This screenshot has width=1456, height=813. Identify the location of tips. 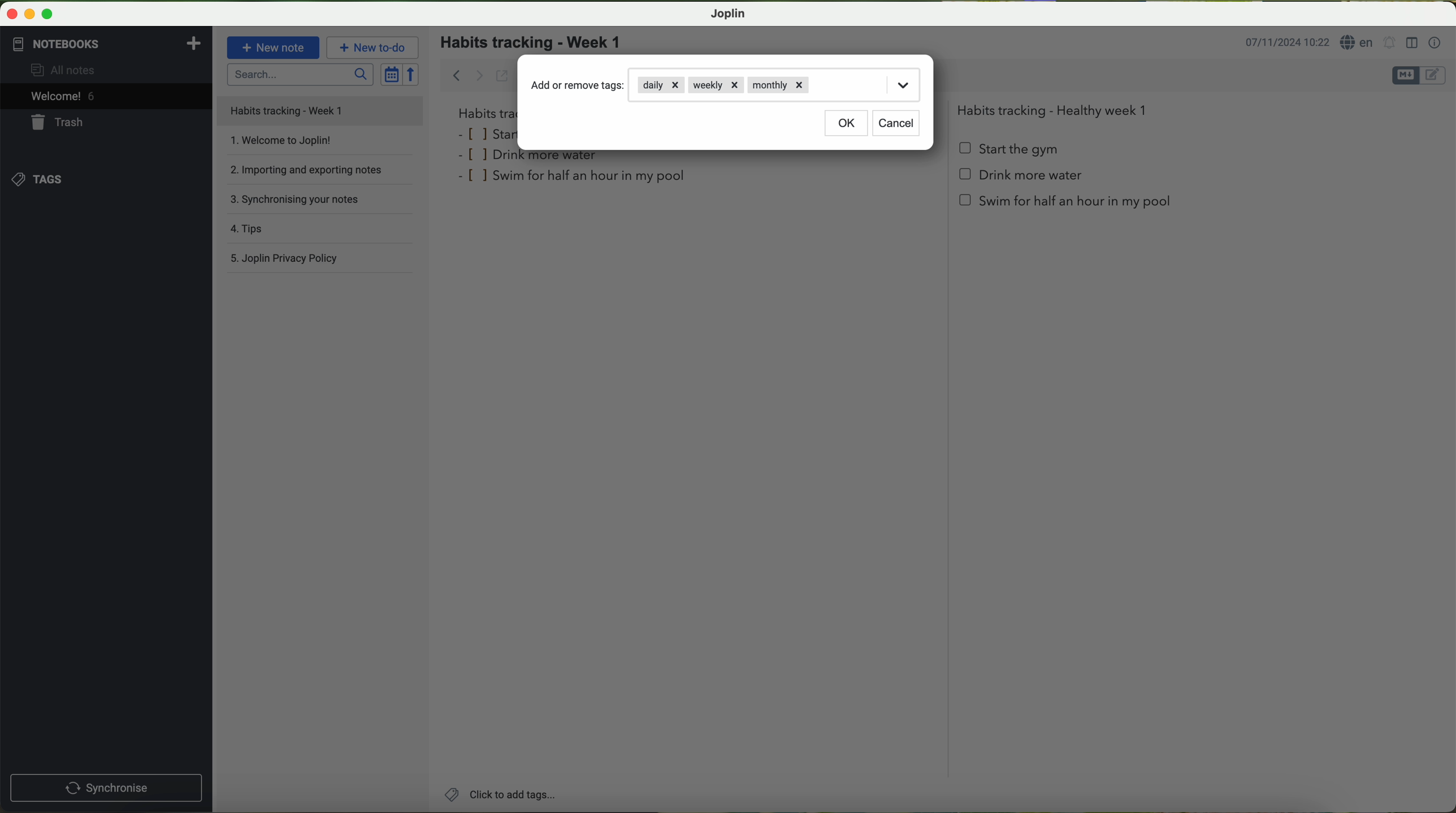
(322, 231).